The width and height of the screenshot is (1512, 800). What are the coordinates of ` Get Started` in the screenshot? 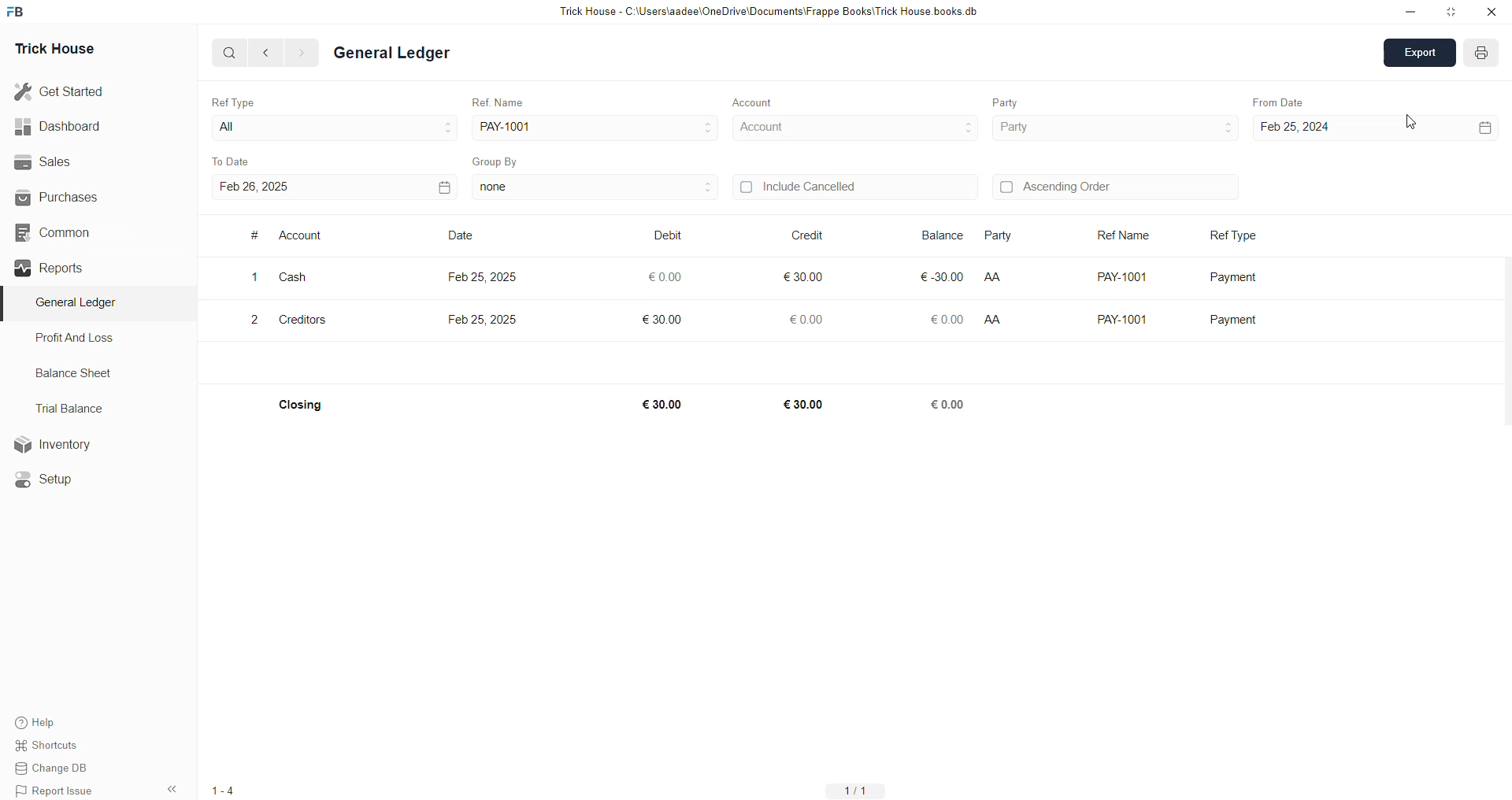 It's located at (60, 90).